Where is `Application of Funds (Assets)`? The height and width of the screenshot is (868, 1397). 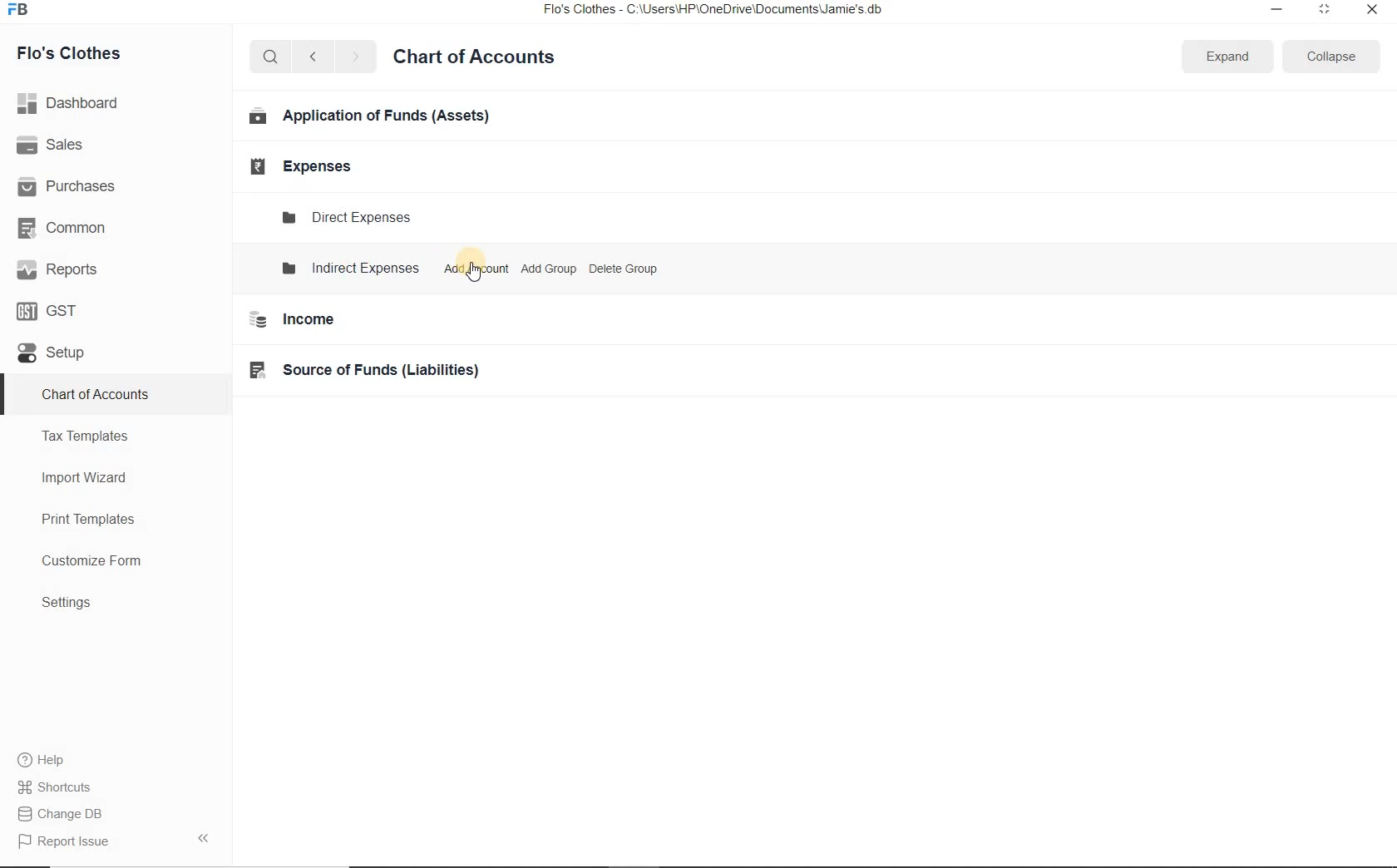
Application of Funds (Assets) is located at coordinates (370, 117).